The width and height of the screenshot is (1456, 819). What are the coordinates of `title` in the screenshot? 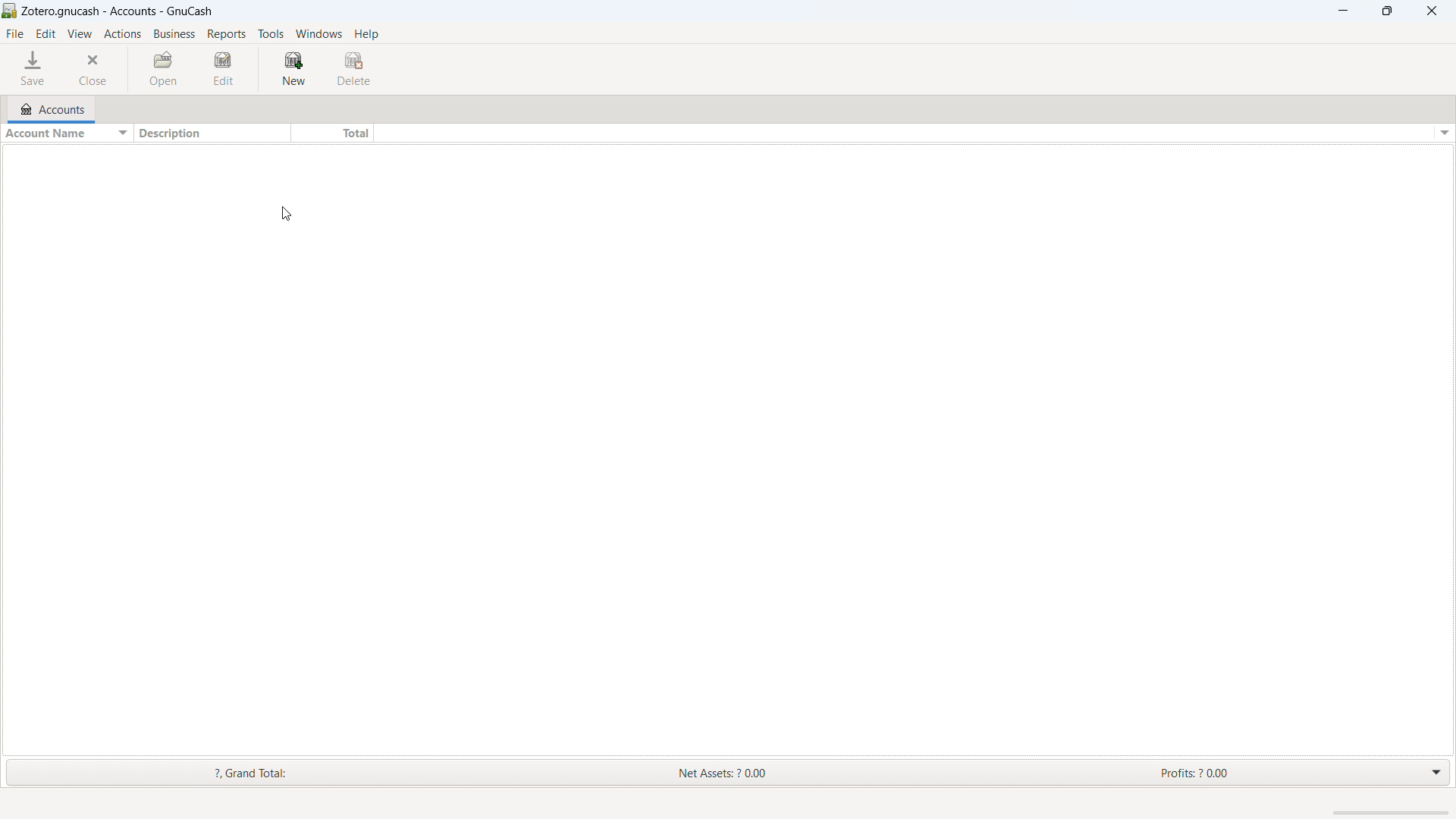 It's located at (118, 11).